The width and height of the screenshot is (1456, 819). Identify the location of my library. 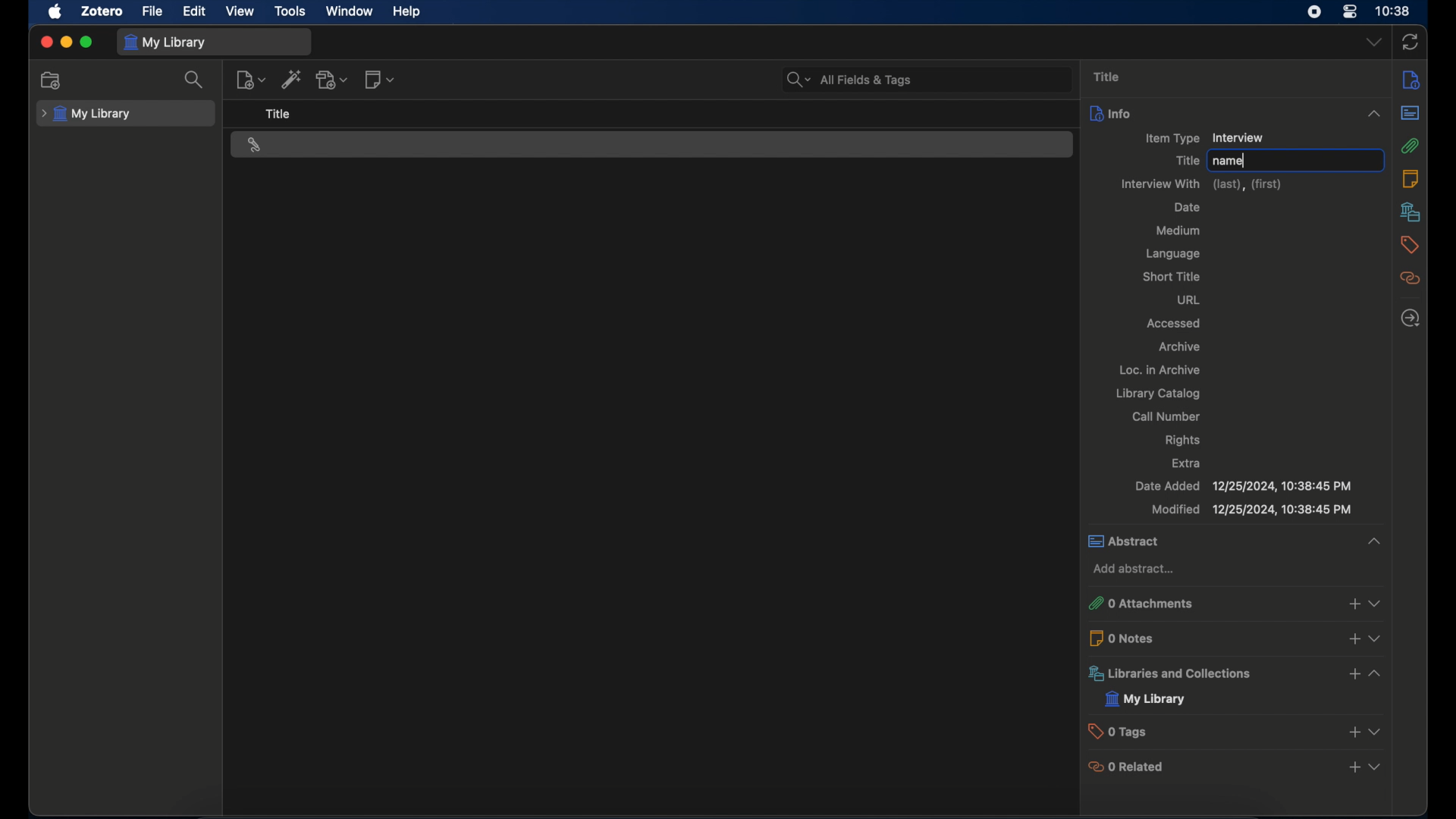
(165, 43).